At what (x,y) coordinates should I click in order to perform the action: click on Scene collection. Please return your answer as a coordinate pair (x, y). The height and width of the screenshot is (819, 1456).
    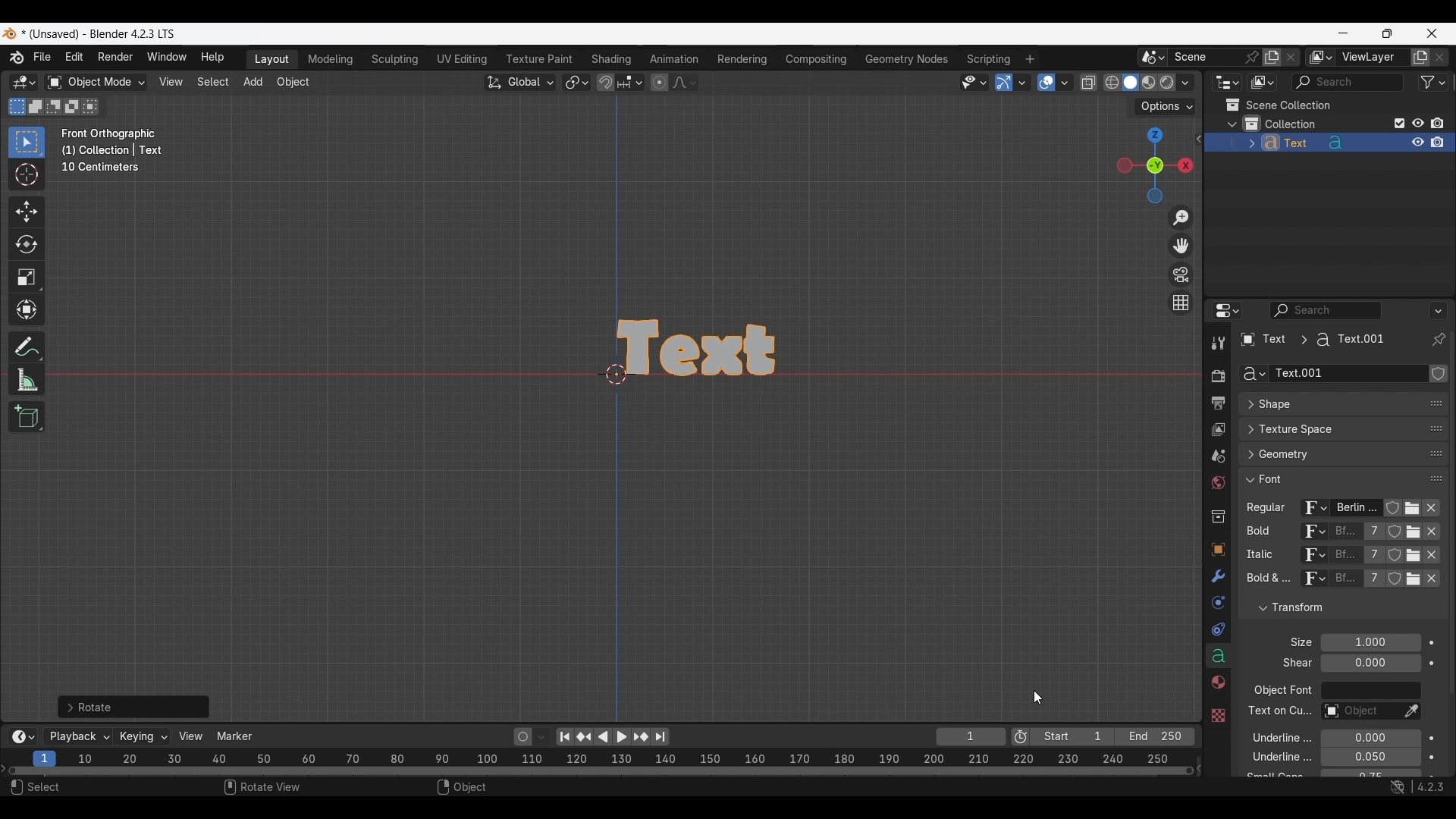
    Looking at the image, I should click on (1278, 105).